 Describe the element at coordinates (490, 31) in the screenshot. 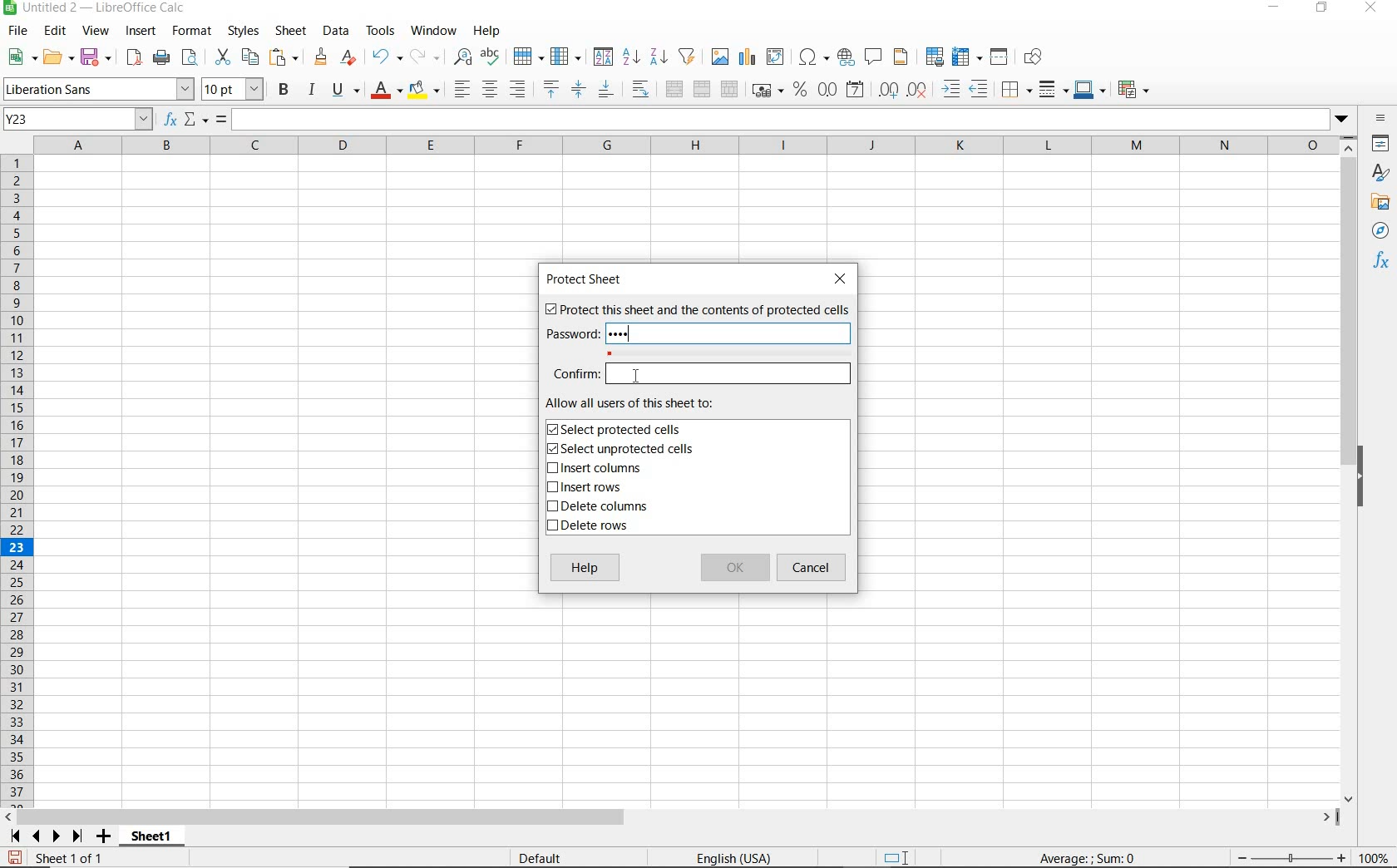

I see `HELP` at that location.